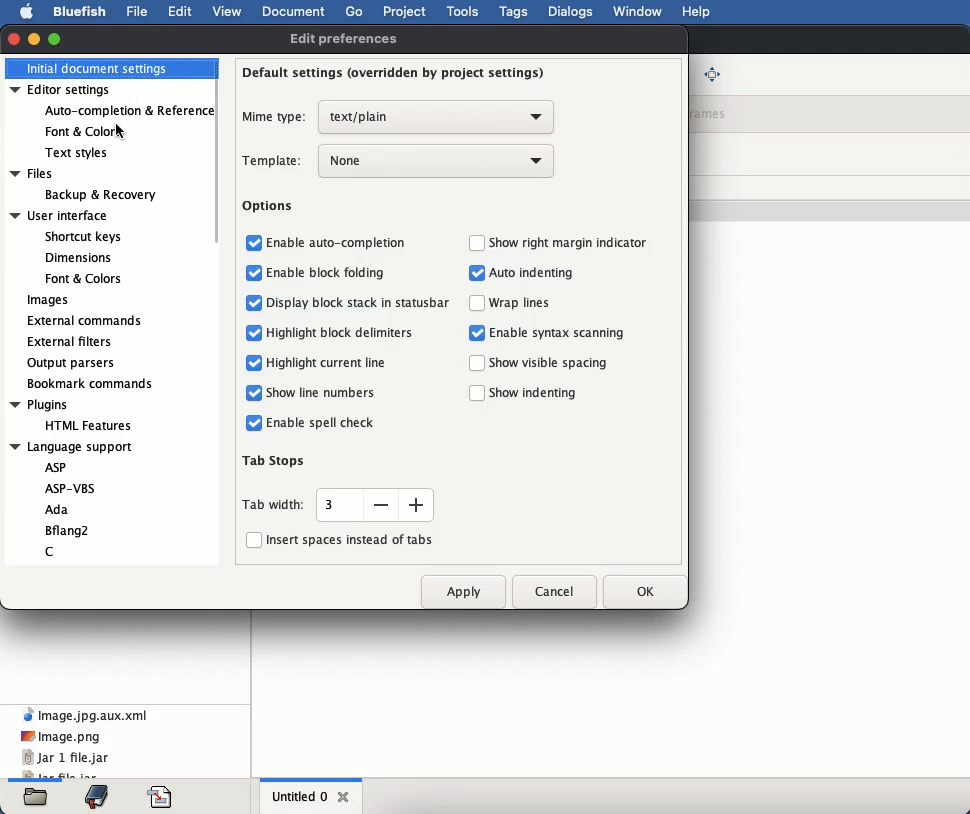 The width and height of the screenshot is (970, 814). Describe the element at coordinates (61, 736) in the screenshot. I see `image` at that location.